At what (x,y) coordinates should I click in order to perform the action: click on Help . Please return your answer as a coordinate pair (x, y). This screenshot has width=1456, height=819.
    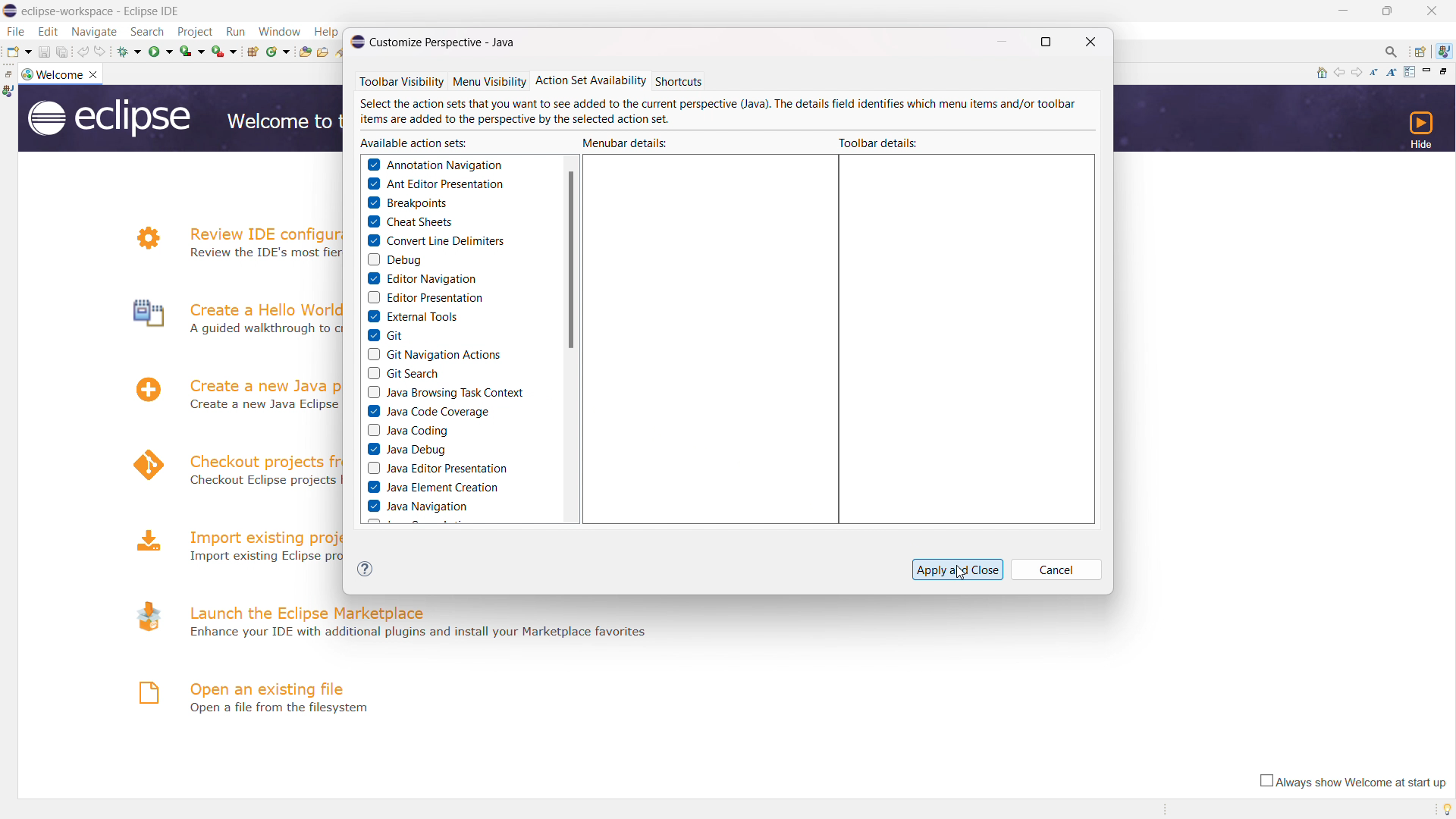
    Looking at the image, I should click on (325, 30).